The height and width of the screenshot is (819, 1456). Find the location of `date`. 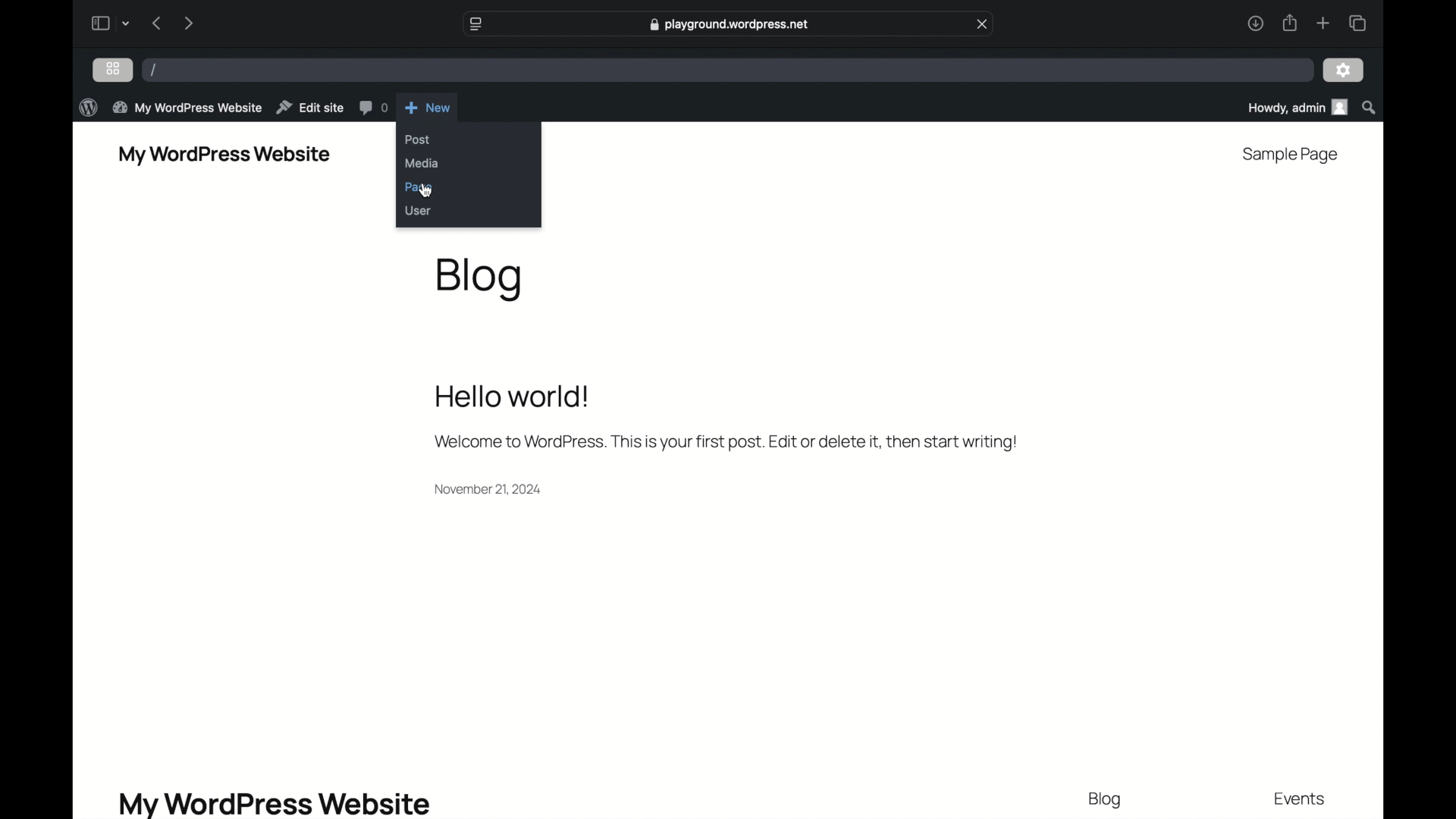

date is located at coordinates (488, 489).